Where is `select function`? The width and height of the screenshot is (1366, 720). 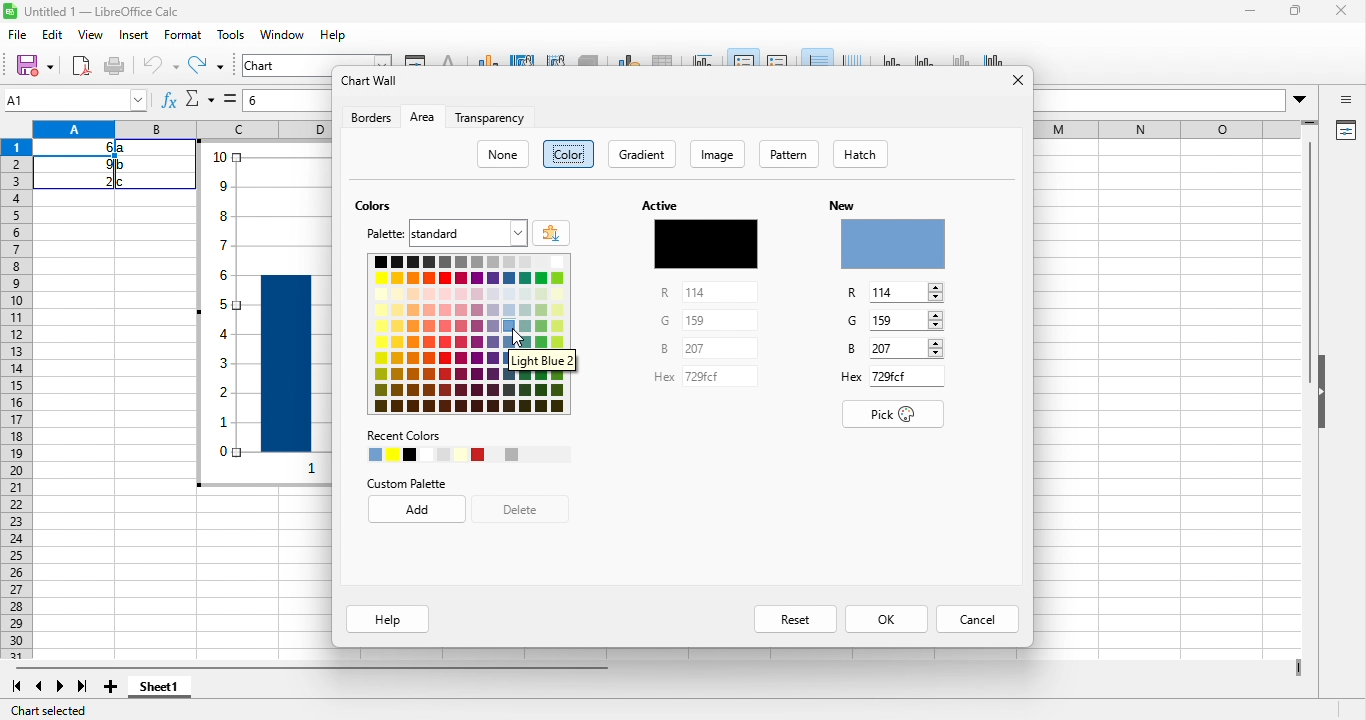
select function is located at coordinates (198, 99).